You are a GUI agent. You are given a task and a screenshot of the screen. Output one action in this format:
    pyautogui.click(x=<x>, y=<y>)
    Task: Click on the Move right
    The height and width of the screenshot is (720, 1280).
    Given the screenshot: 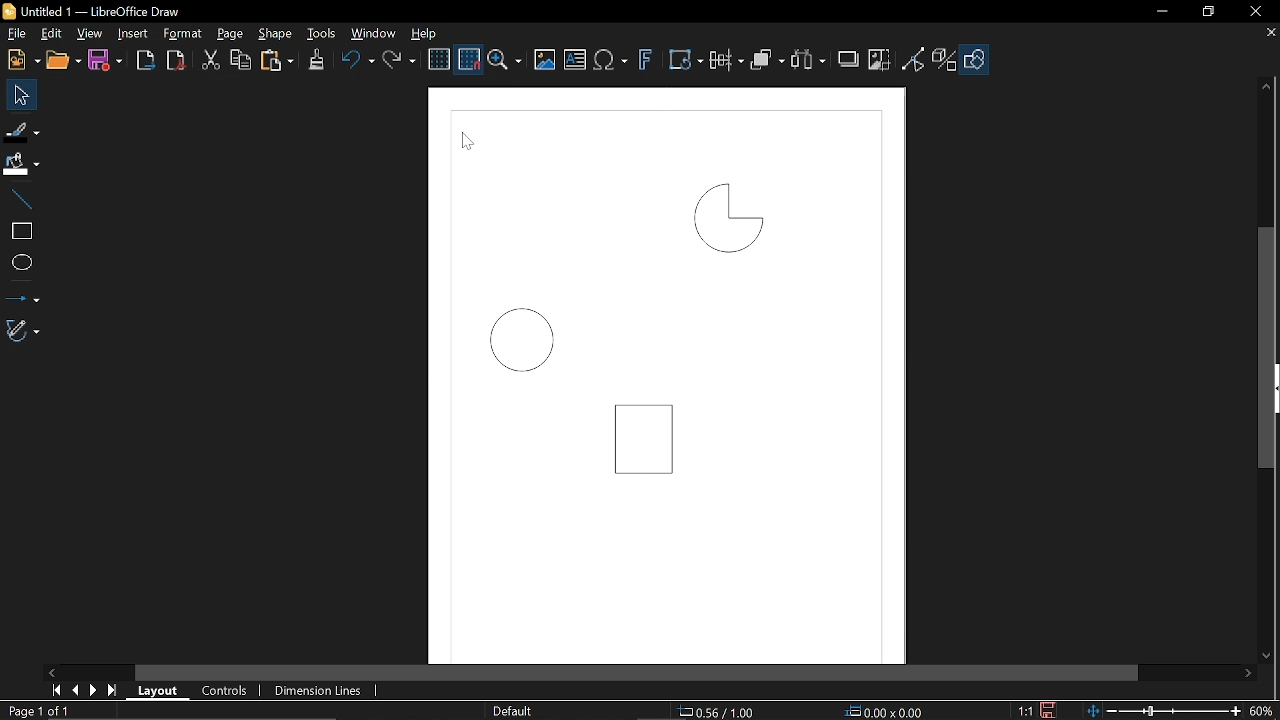 What is the action you would take?
    pyautogui.click(x=1250, y=675)
    